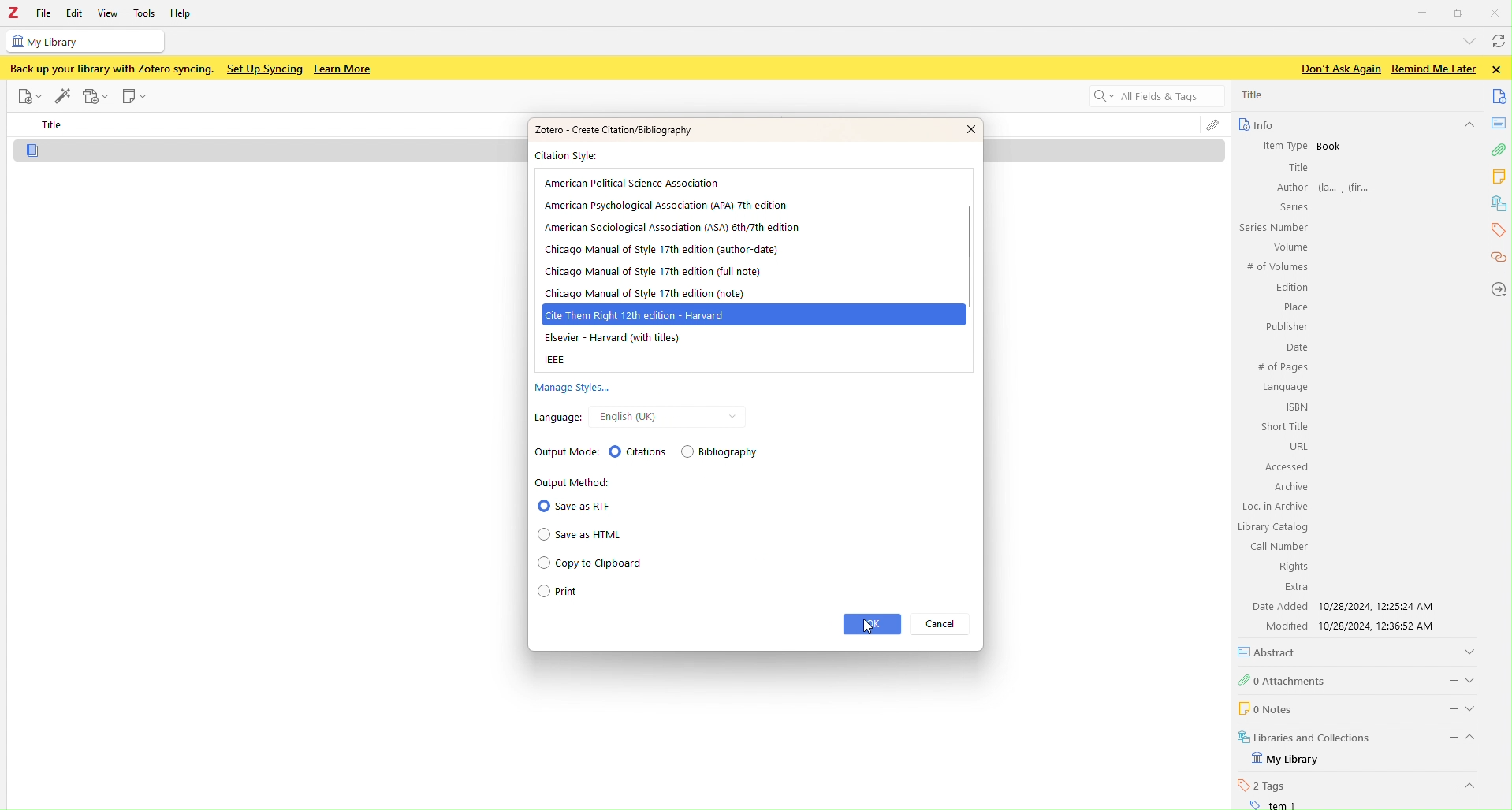 Image resolution: width=1512 pixels, height=810 pixels. What do you see at coordinates (1500, 123) in the screenshot?
I see `notes` at bounding box center [1500, 123].